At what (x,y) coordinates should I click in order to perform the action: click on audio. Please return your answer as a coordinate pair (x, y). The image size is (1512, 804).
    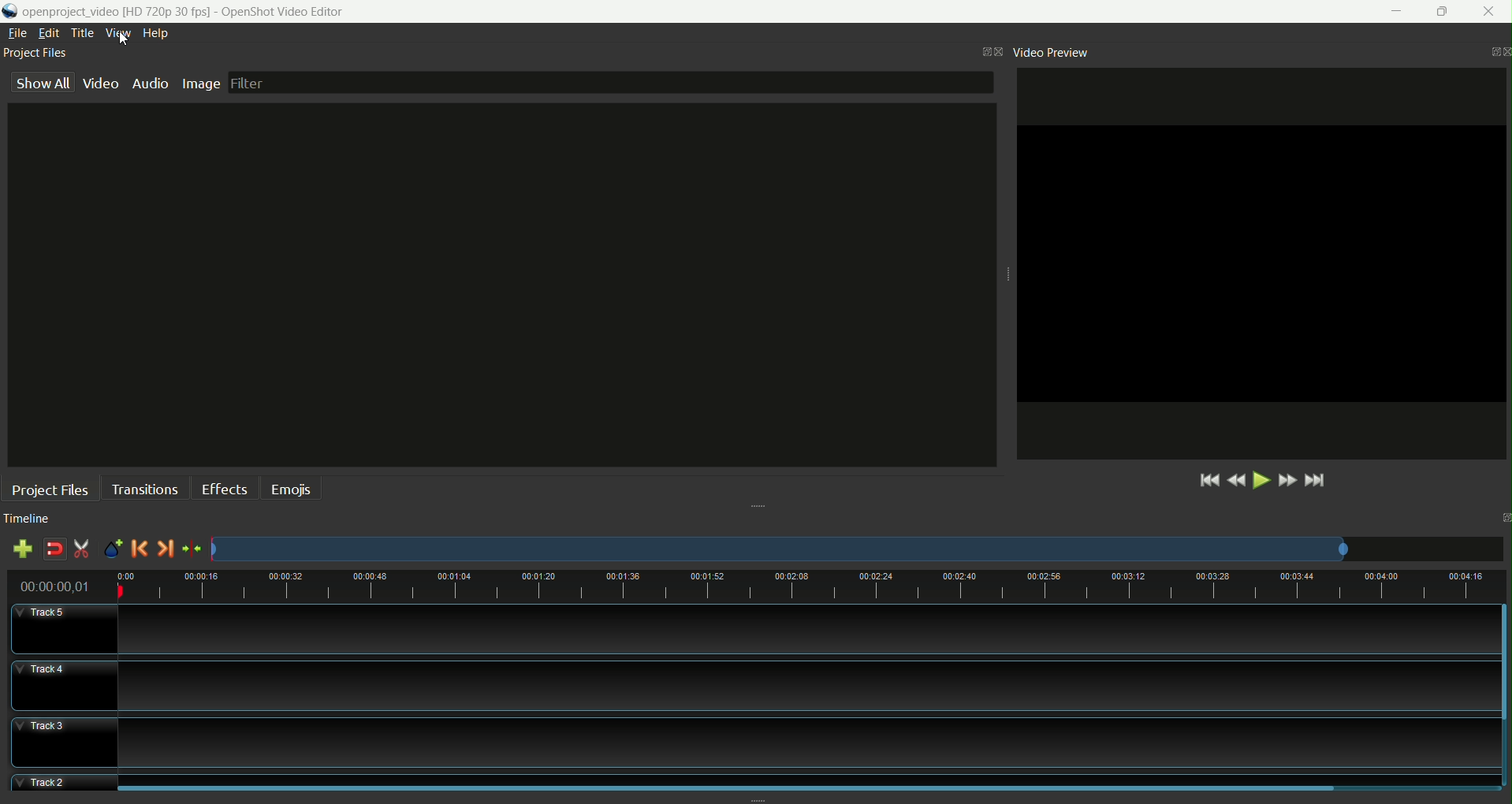
    Looking at the image, I should click on (151, 84).